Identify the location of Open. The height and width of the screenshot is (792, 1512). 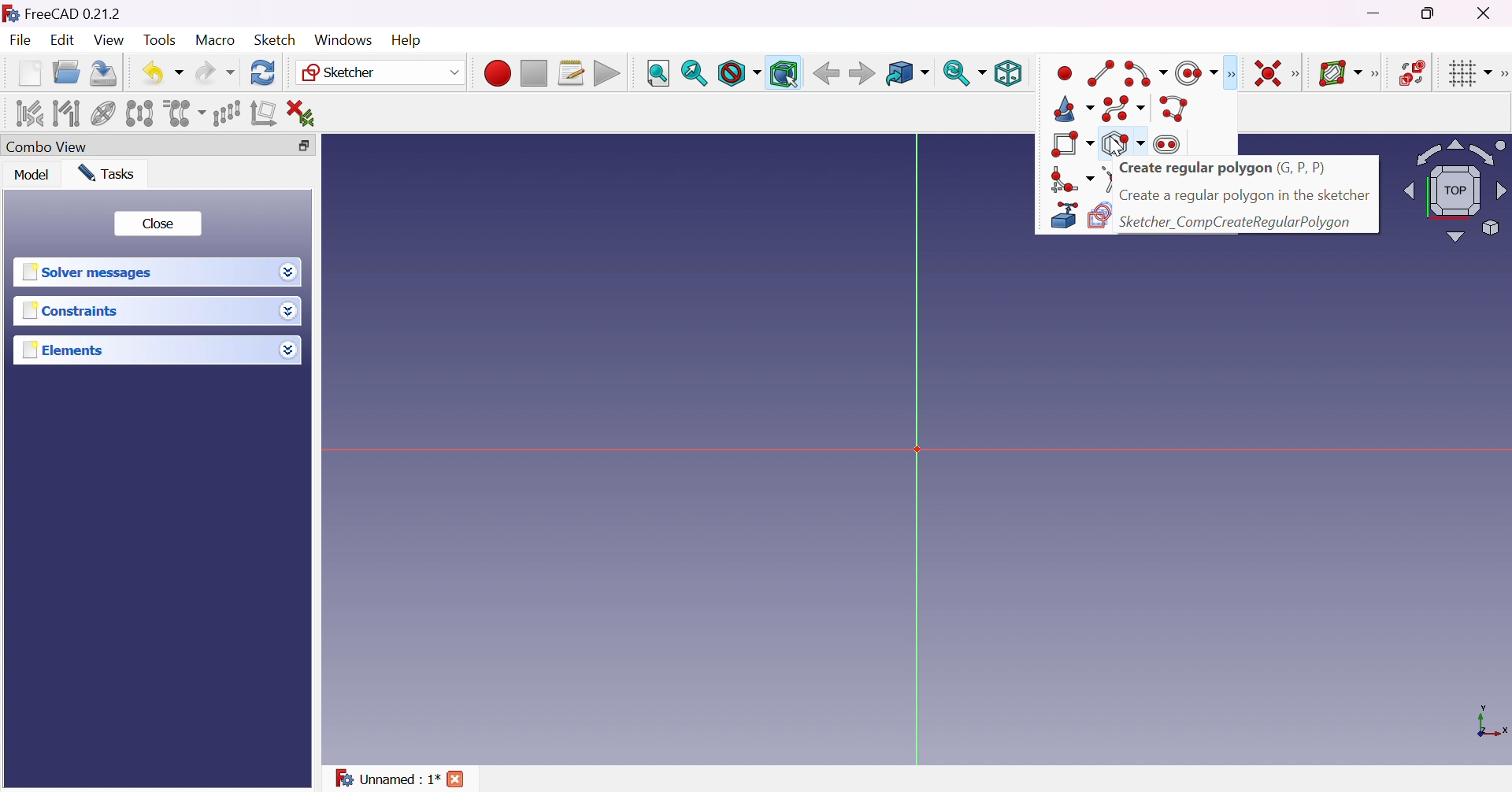
(66, 72).